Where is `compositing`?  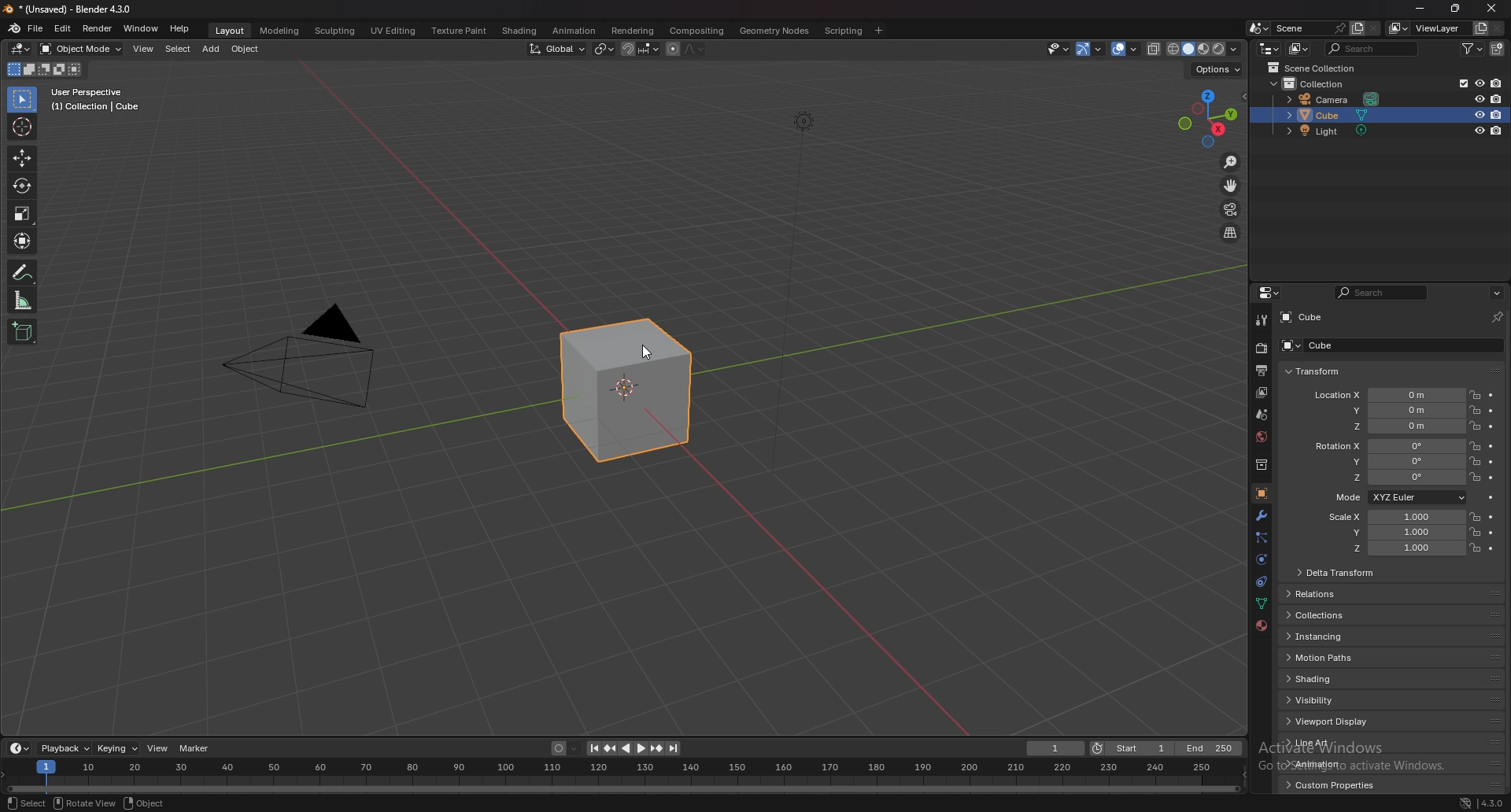
compositing is located at coordinates (696, 31).